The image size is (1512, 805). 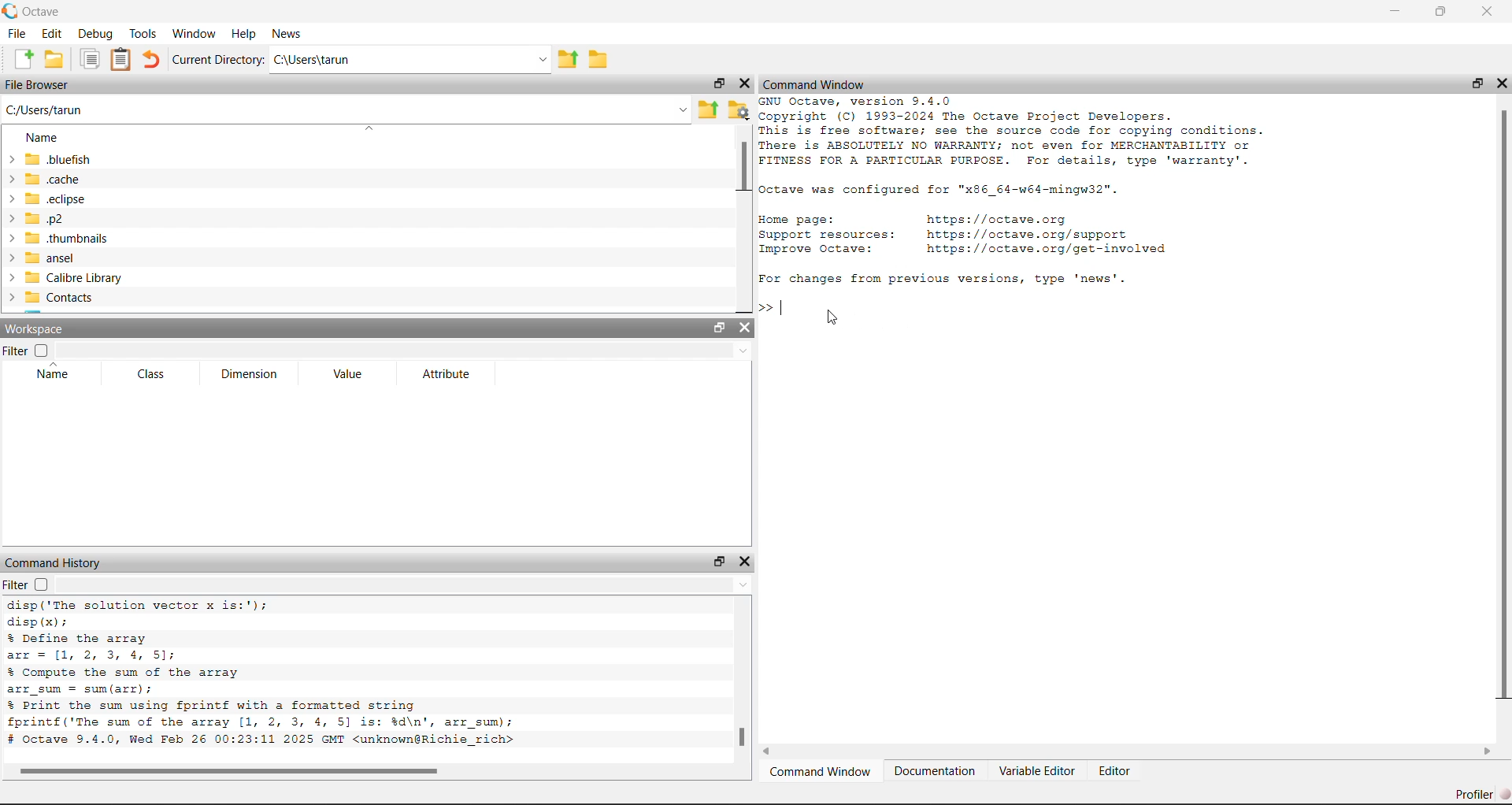 I want to click on drop down, so click(x=406, y=348).